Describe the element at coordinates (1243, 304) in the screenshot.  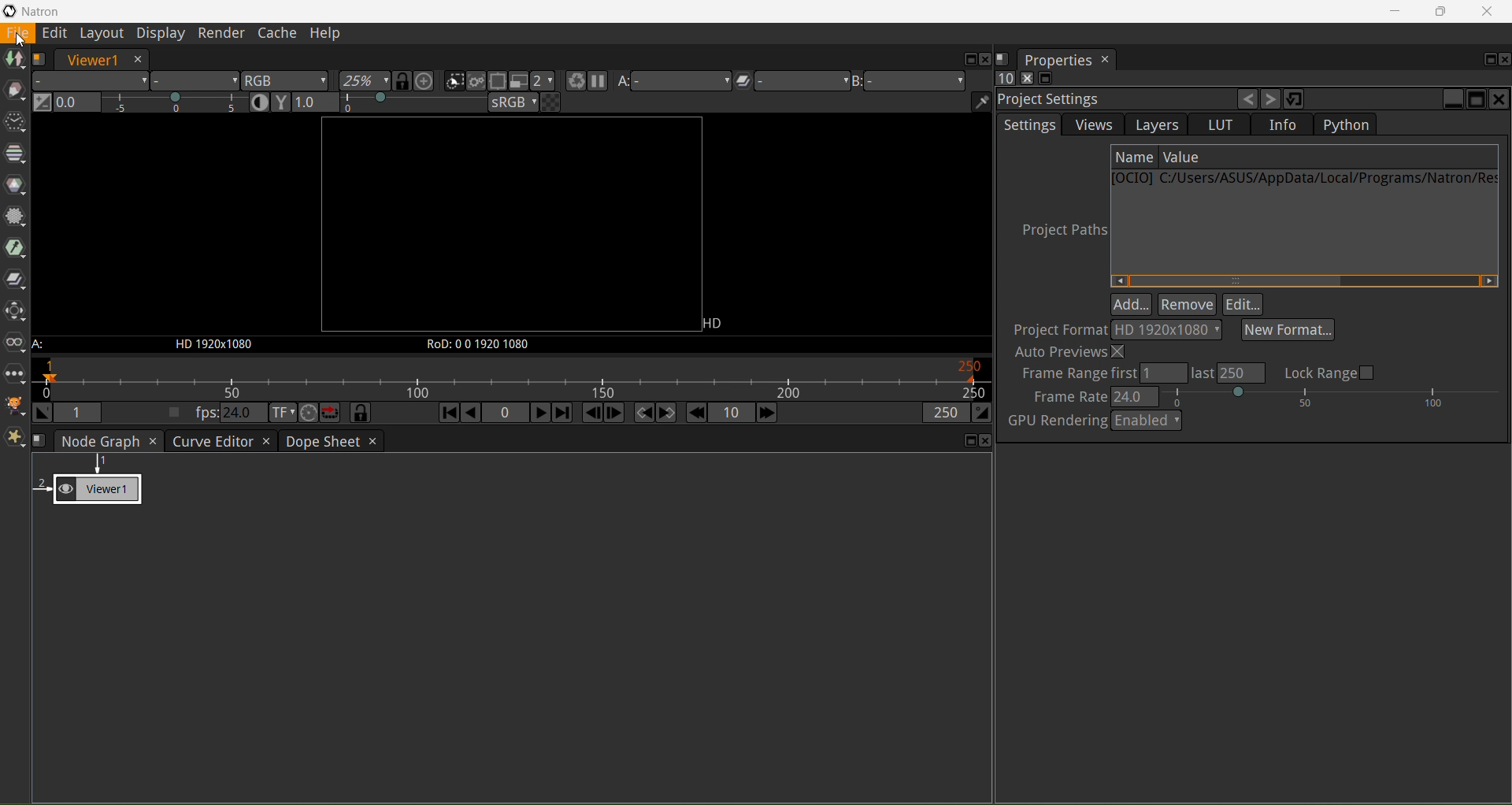
I see `Edit` at that location.